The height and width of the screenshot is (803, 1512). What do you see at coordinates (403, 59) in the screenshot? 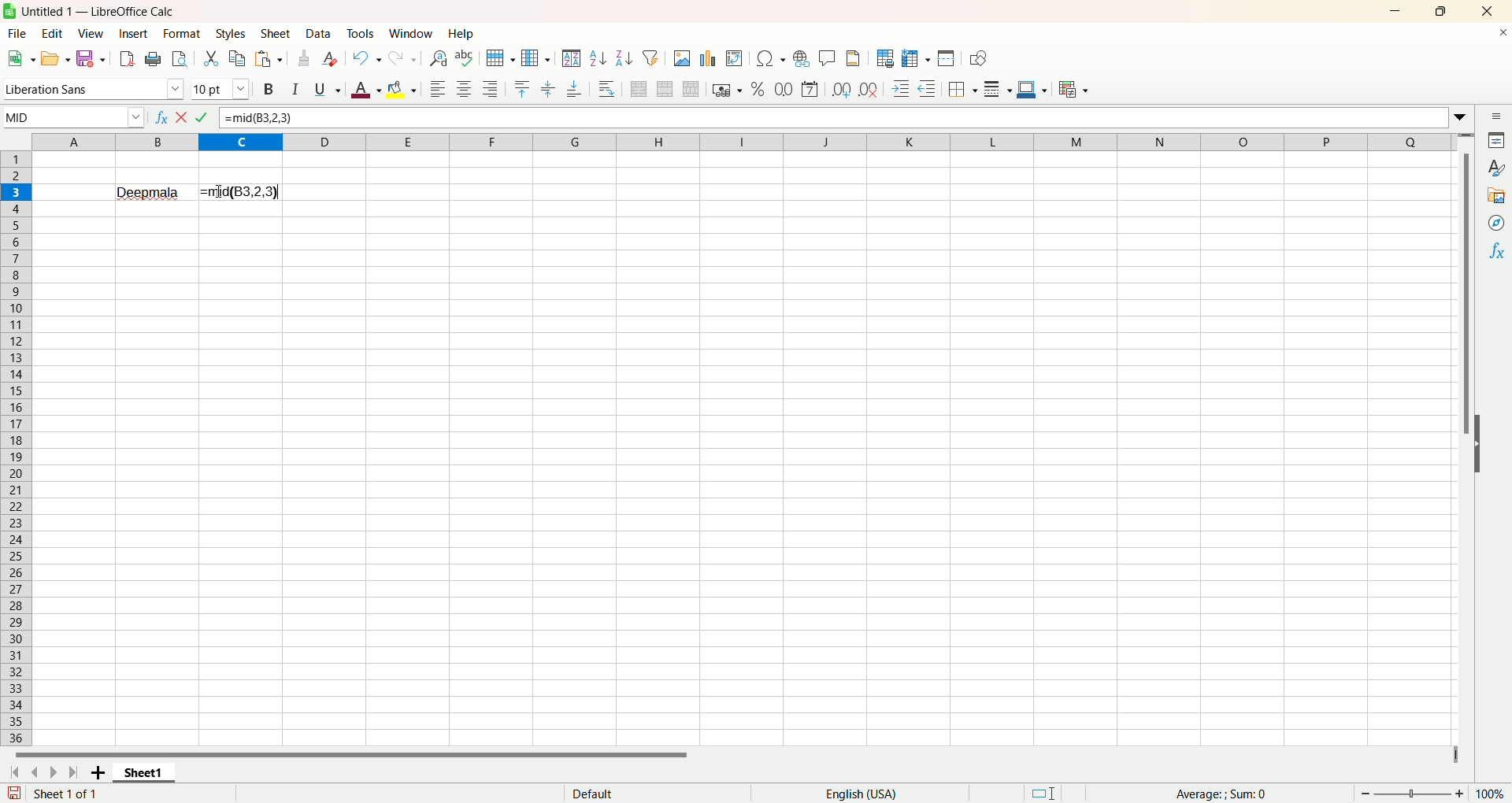
I see `Redo` at bounding box center [403, 59].